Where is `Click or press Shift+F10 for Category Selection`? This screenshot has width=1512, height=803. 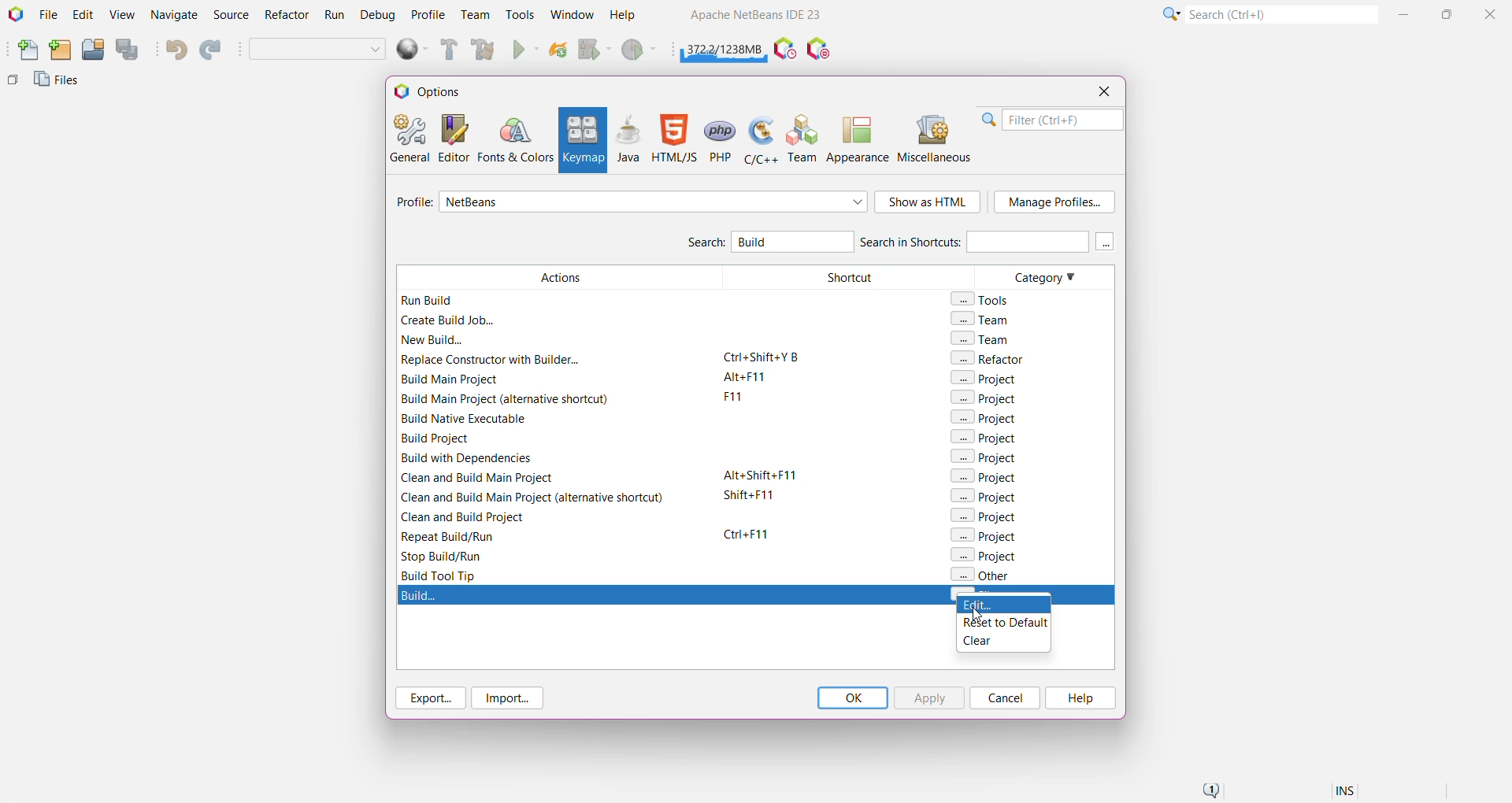 Click or press Shift+F10 for Category Selection is located at coordinates (1169, 13).